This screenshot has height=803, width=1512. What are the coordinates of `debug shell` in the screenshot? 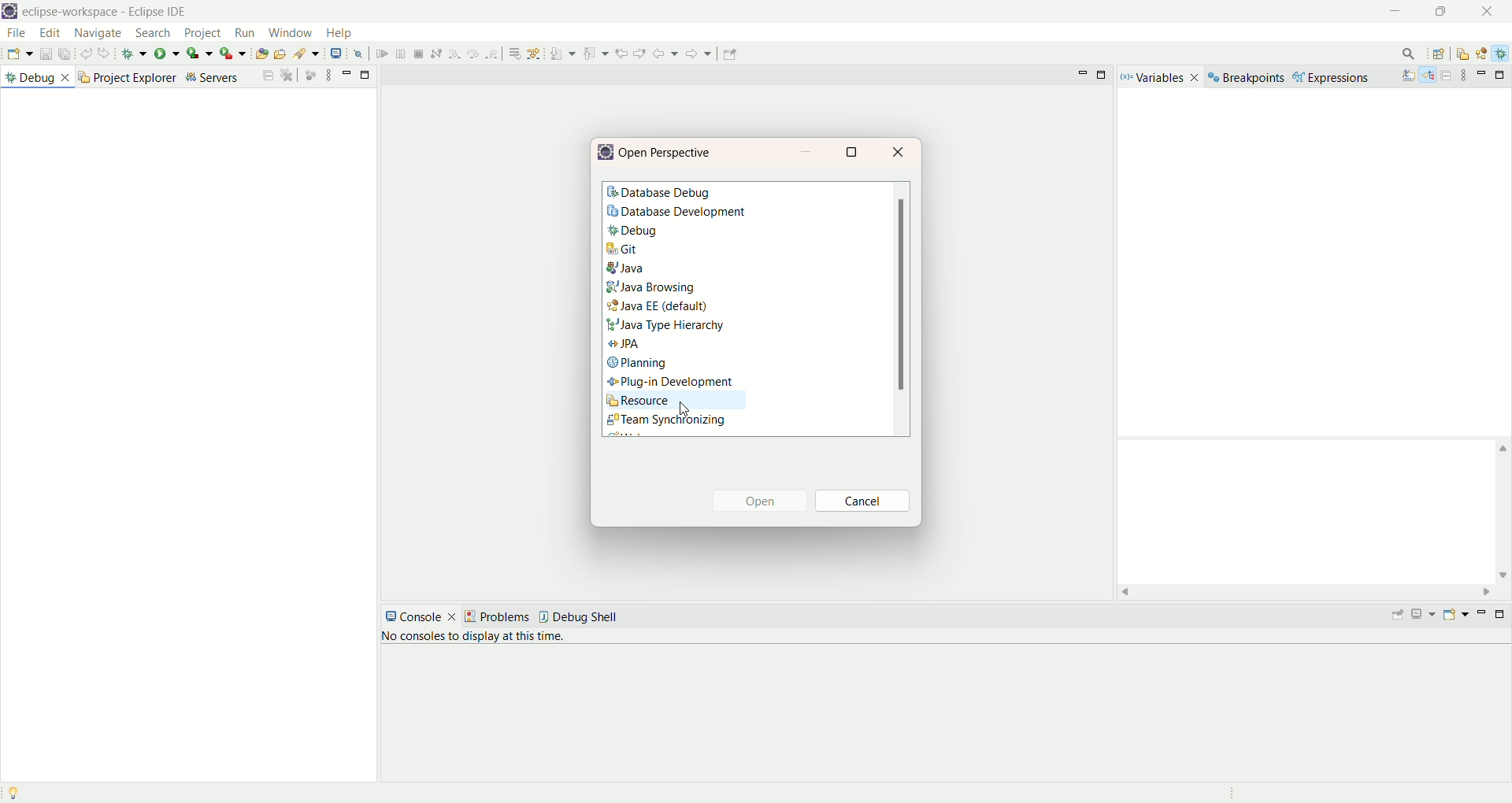 It's located at (587, 618).